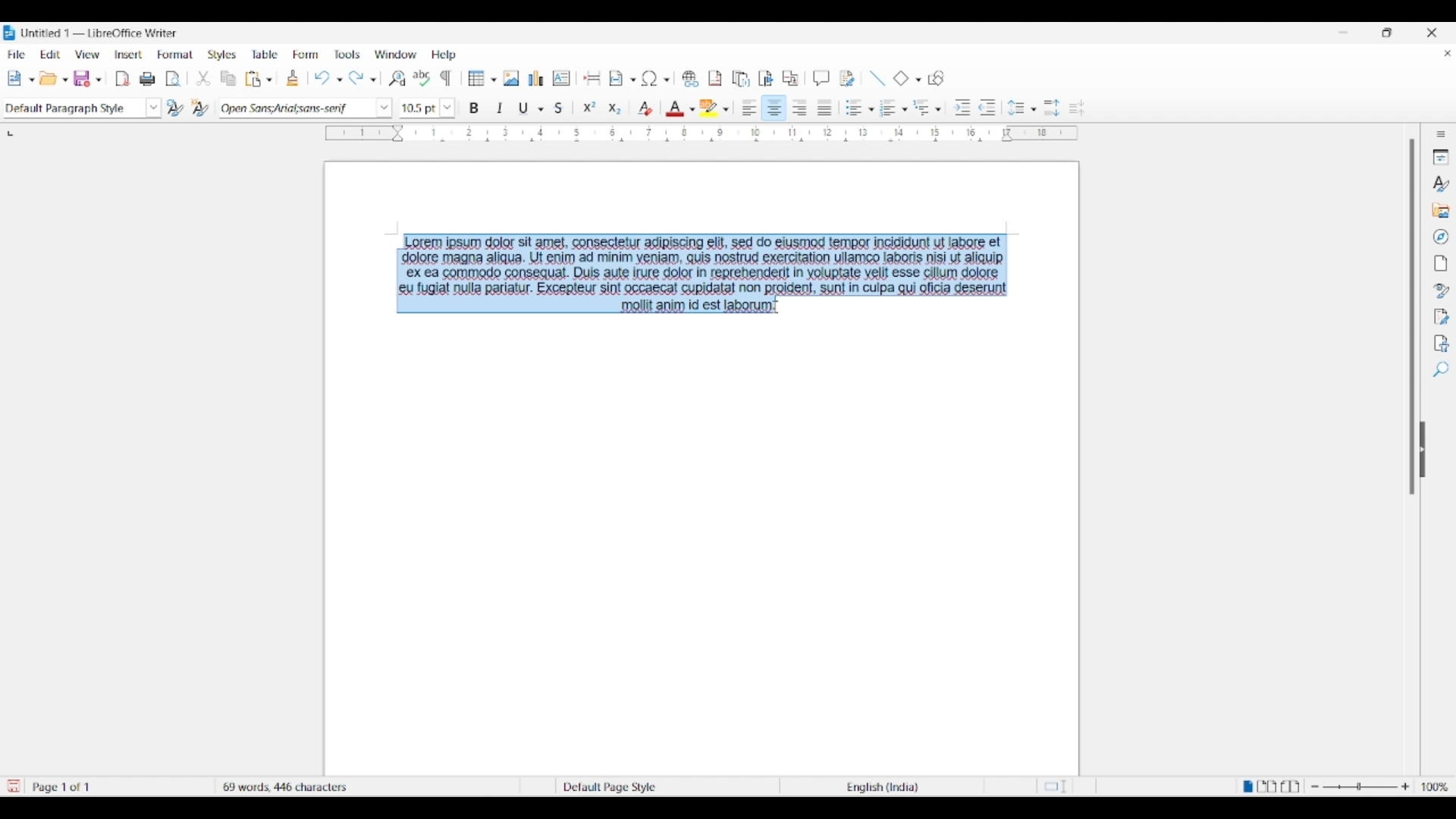  Describe the element at coordinates (675, 108) in the screenshot. I see `Selected color for font` at that location.